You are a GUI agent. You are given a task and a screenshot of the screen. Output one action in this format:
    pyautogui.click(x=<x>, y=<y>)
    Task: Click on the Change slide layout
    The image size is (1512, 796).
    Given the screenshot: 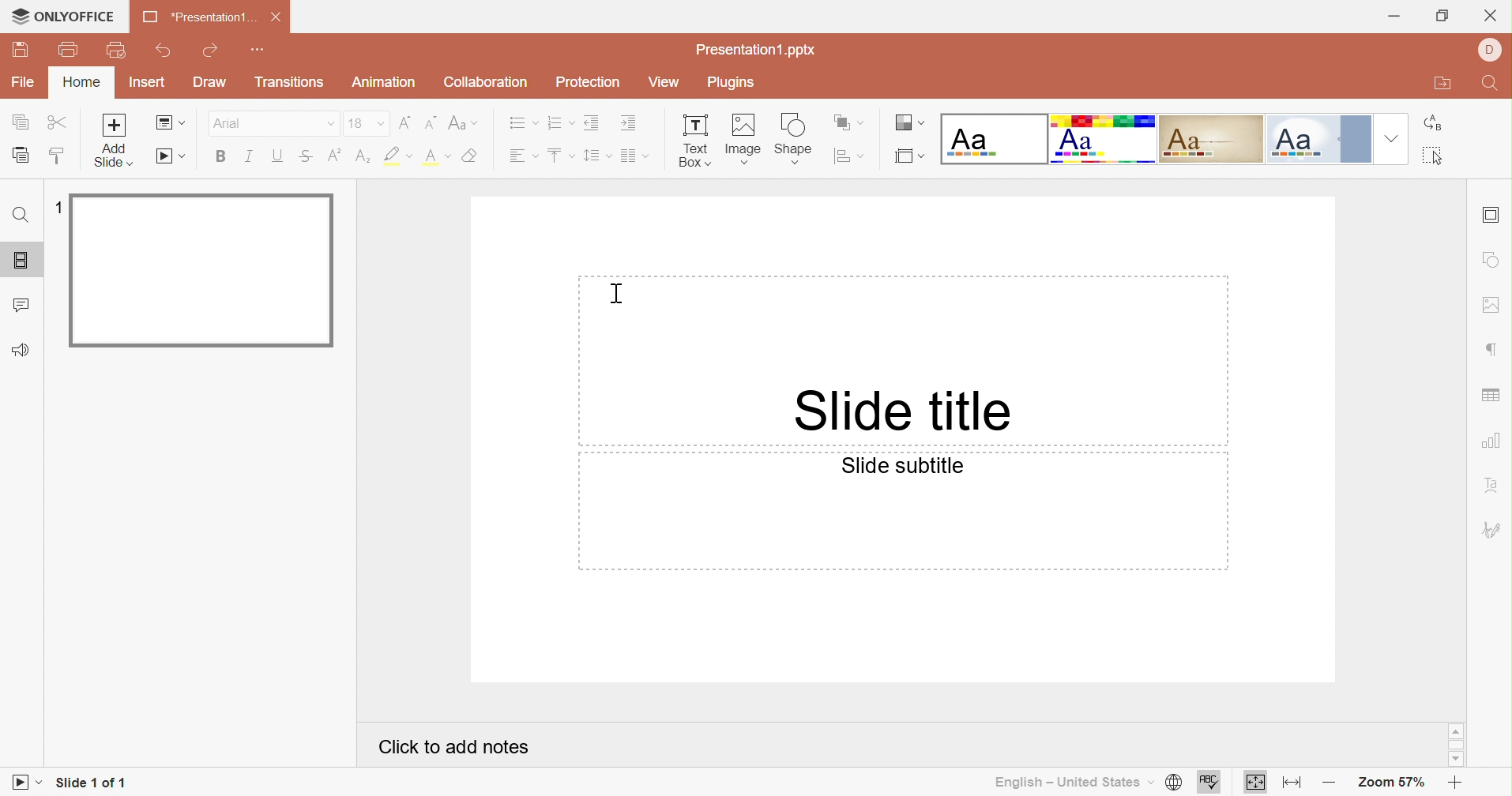 What is the action you would take?
    pyautogui.click(x=171, y=123)
    